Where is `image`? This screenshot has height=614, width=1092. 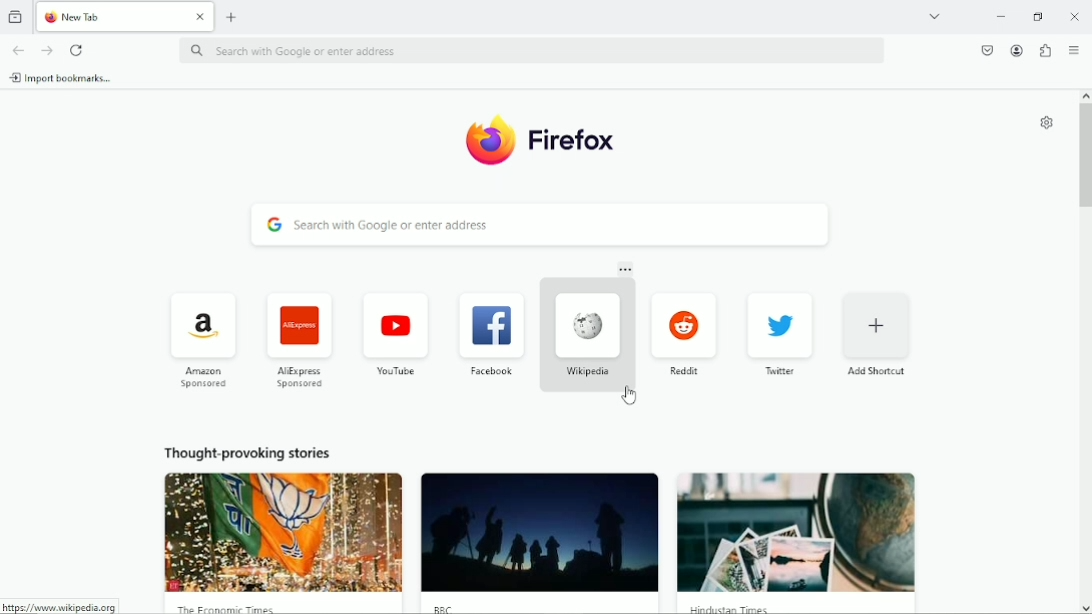 image is located at coordinates (539, 533).